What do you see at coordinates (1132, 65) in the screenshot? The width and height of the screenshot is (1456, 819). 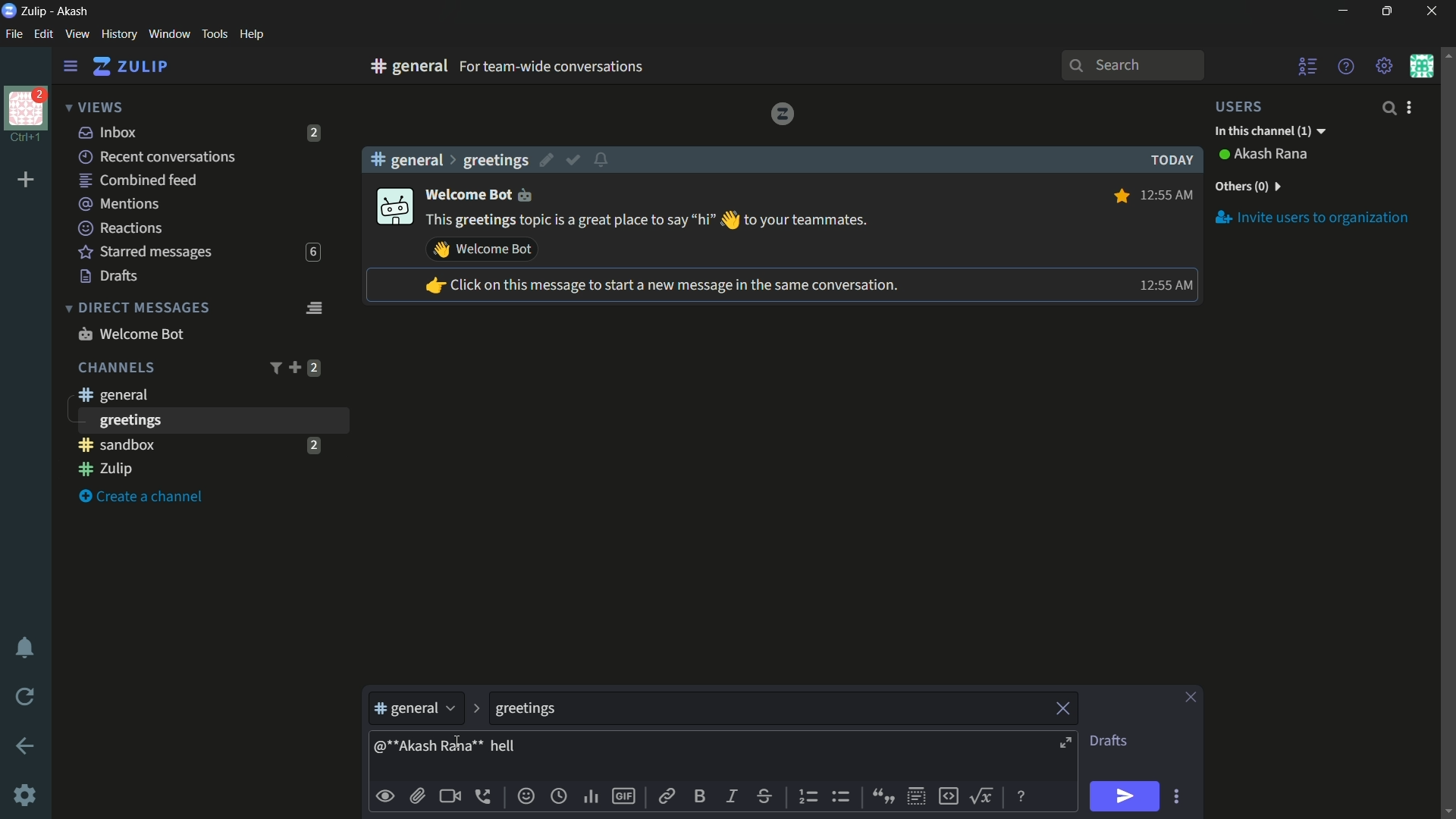 I see `search bar` at bounding box center [1132, 65].